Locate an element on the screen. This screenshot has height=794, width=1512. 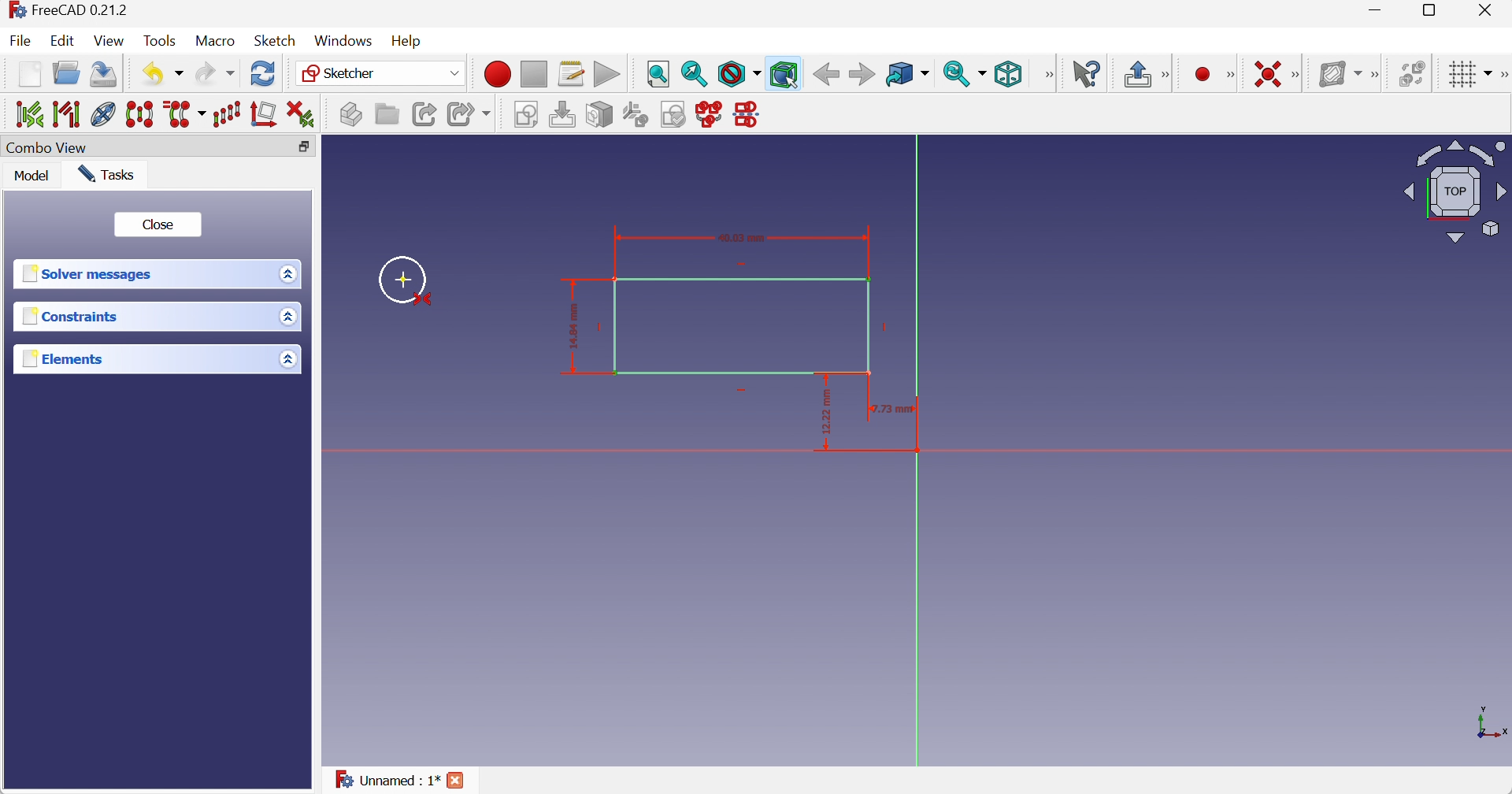
Cursor is located at coordinates (404, 279).